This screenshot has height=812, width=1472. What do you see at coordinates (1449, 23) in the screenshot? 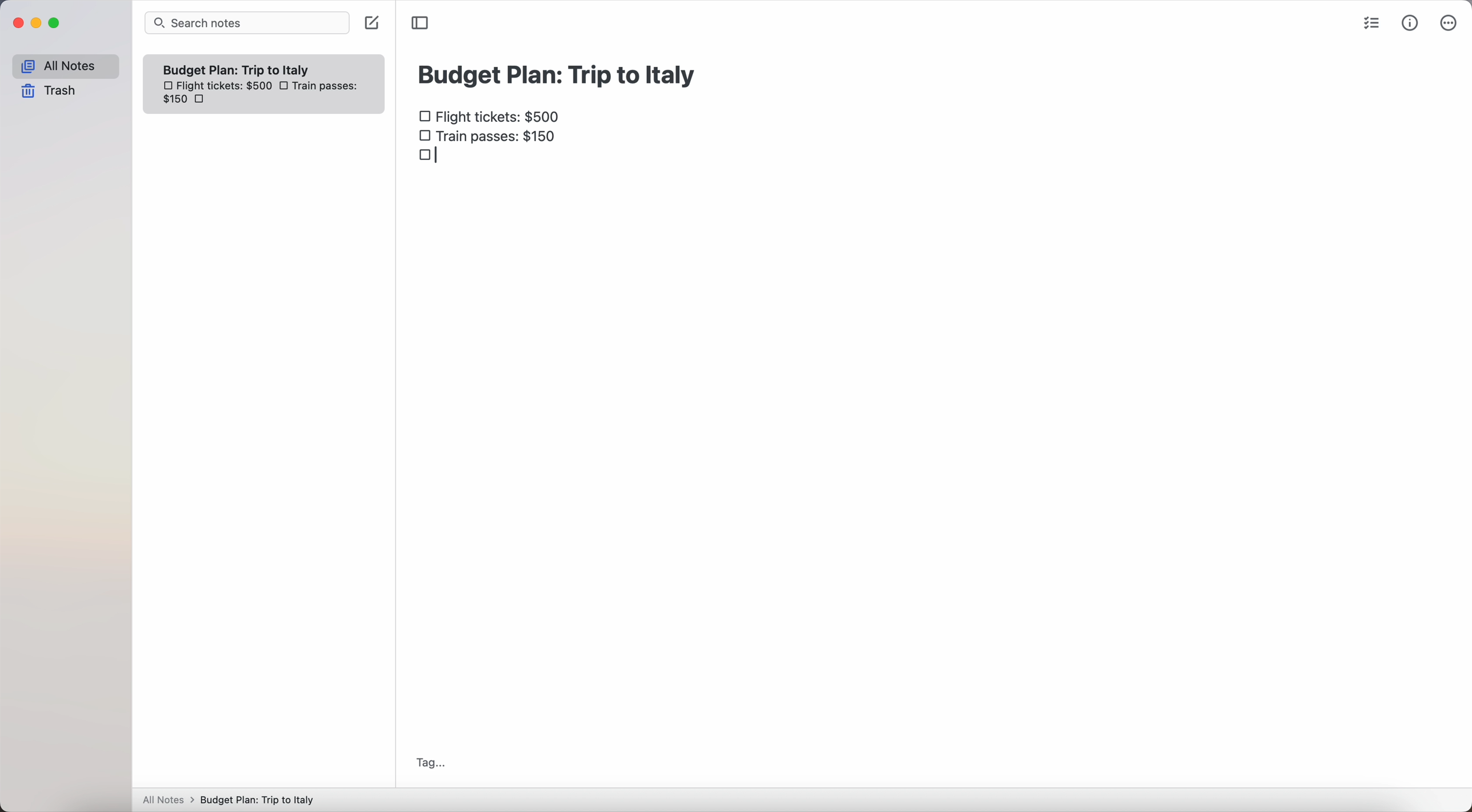
I see `more options` at bounding box center [1449, 23].